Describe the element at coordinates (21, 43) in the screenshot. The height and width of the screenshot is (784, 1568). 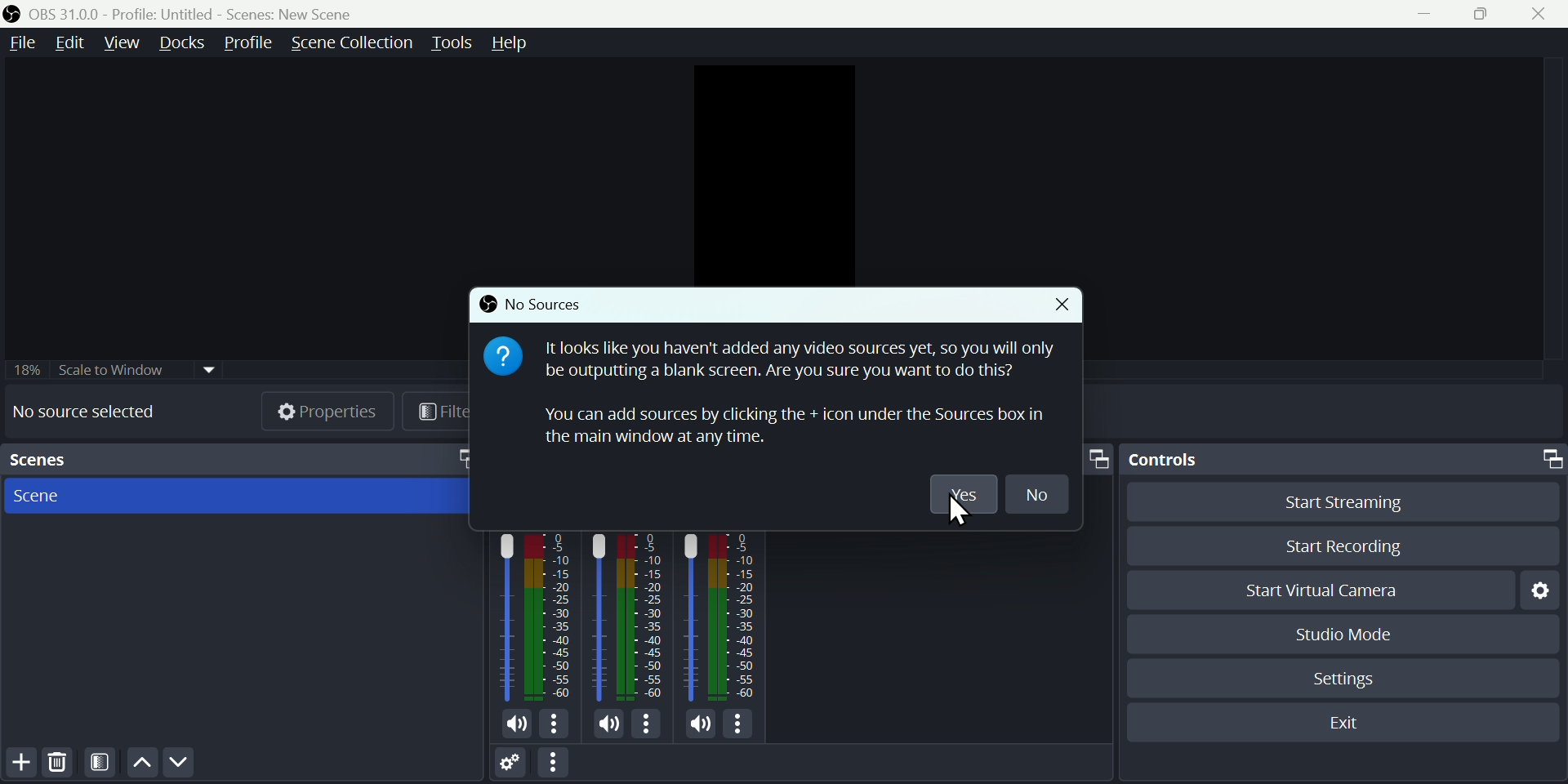
I see `File` at that location.